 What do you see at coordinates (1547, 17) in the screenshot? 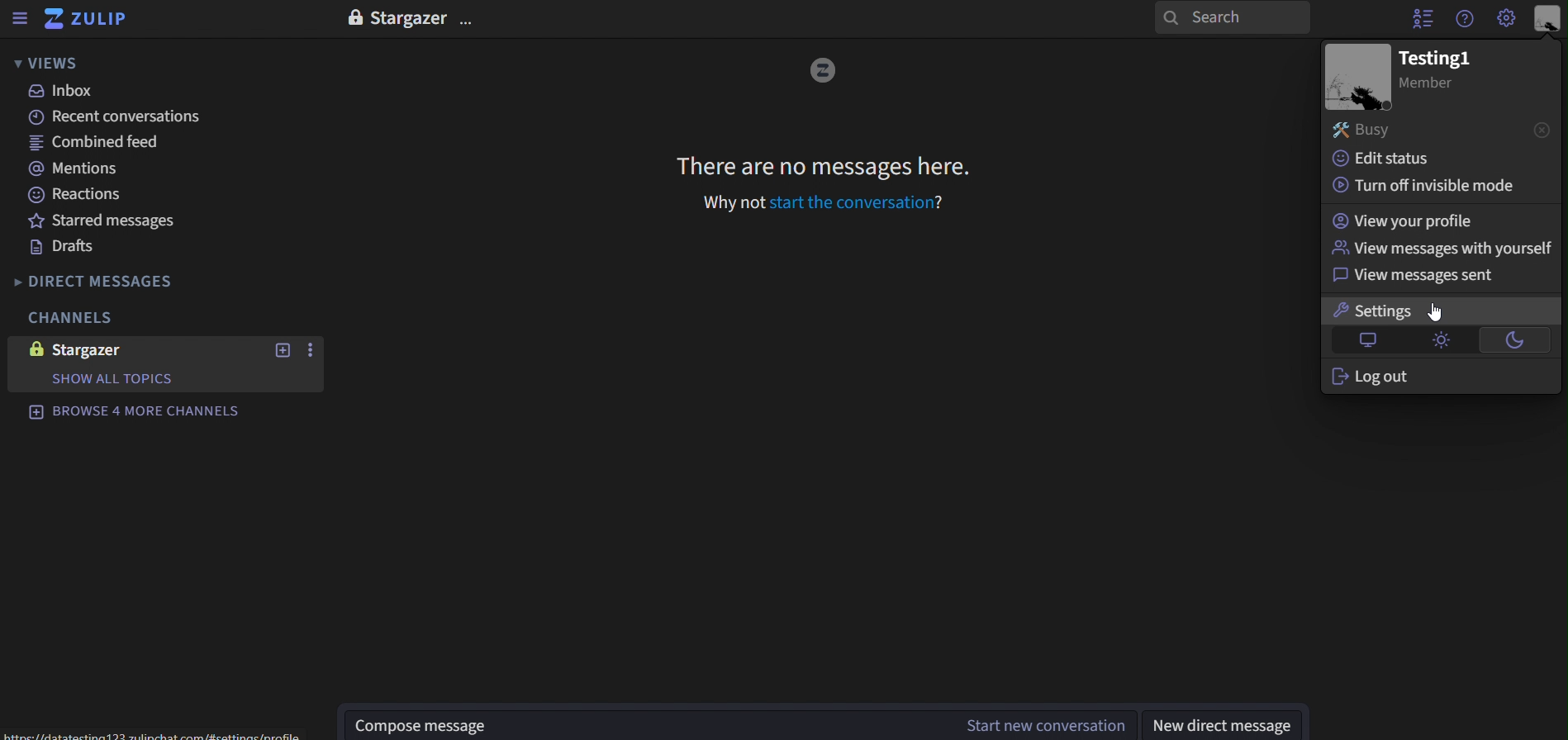
I see `personal menu` at bounding box center [1547, 17].